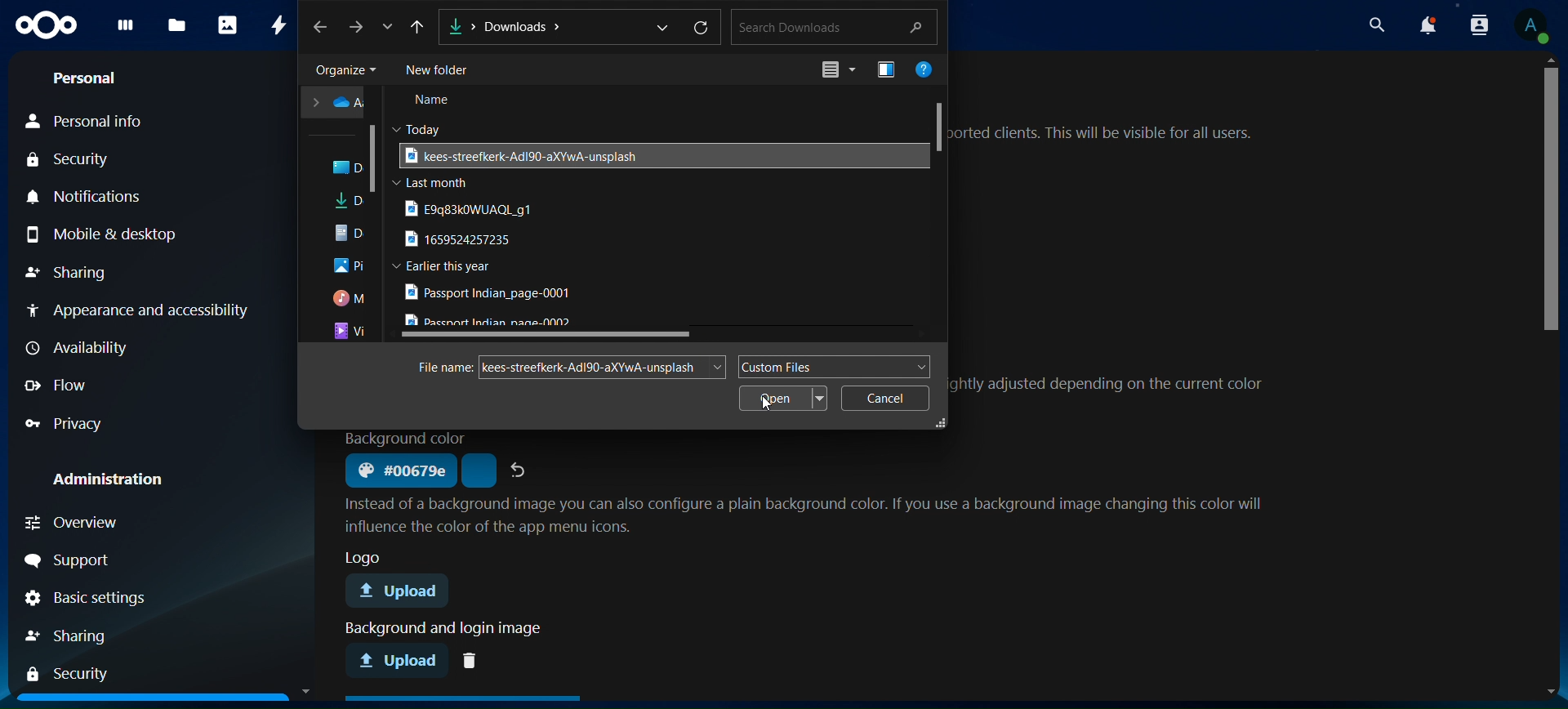 The height and width of the screenshot is (709, 1568). What do you see at coordinates (126, 30) in the screenshot?
I see `dashboard` at bounding box center [126, 30].